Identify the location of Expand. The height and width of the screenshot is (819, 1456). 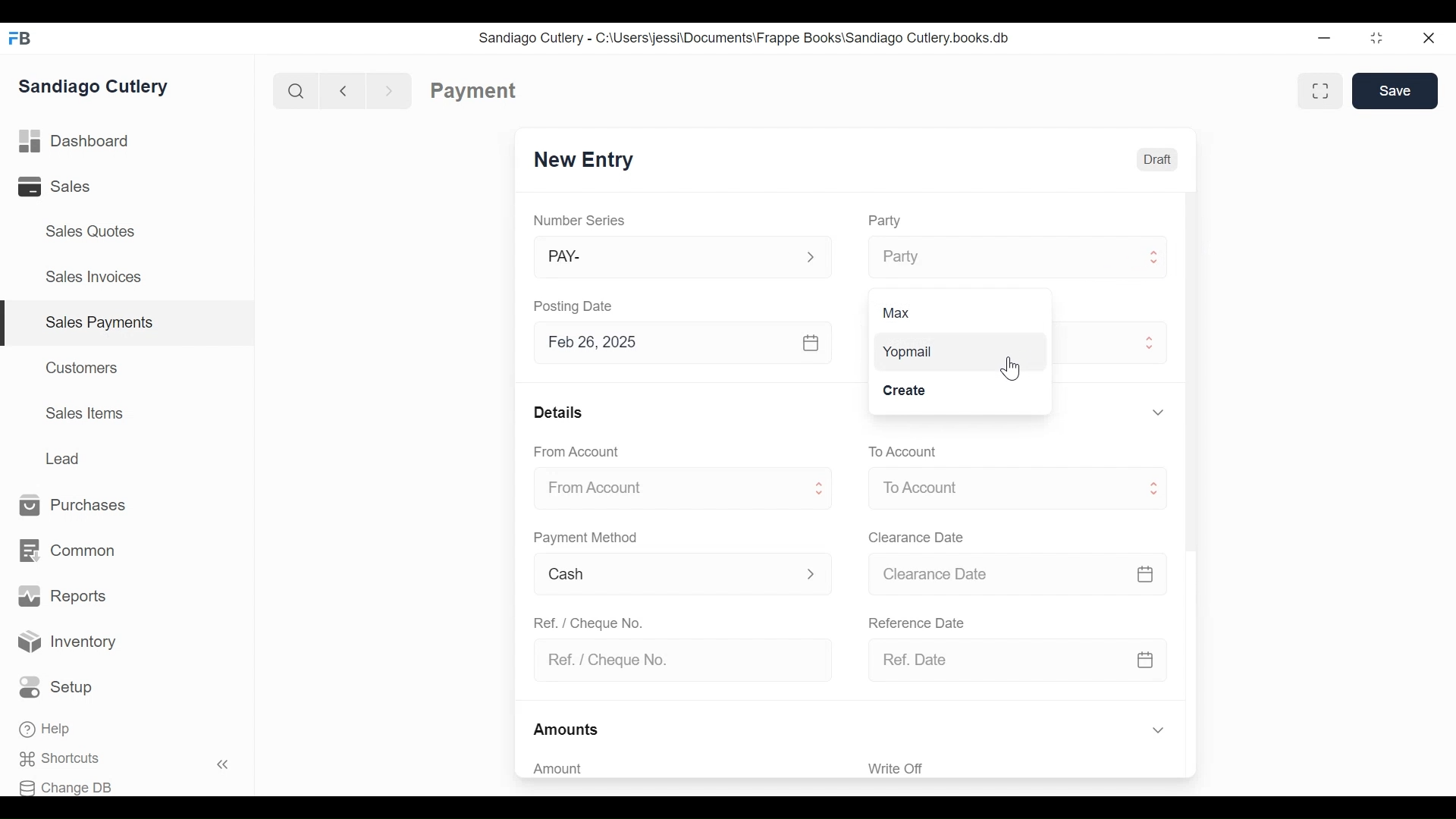
(1157, 412).